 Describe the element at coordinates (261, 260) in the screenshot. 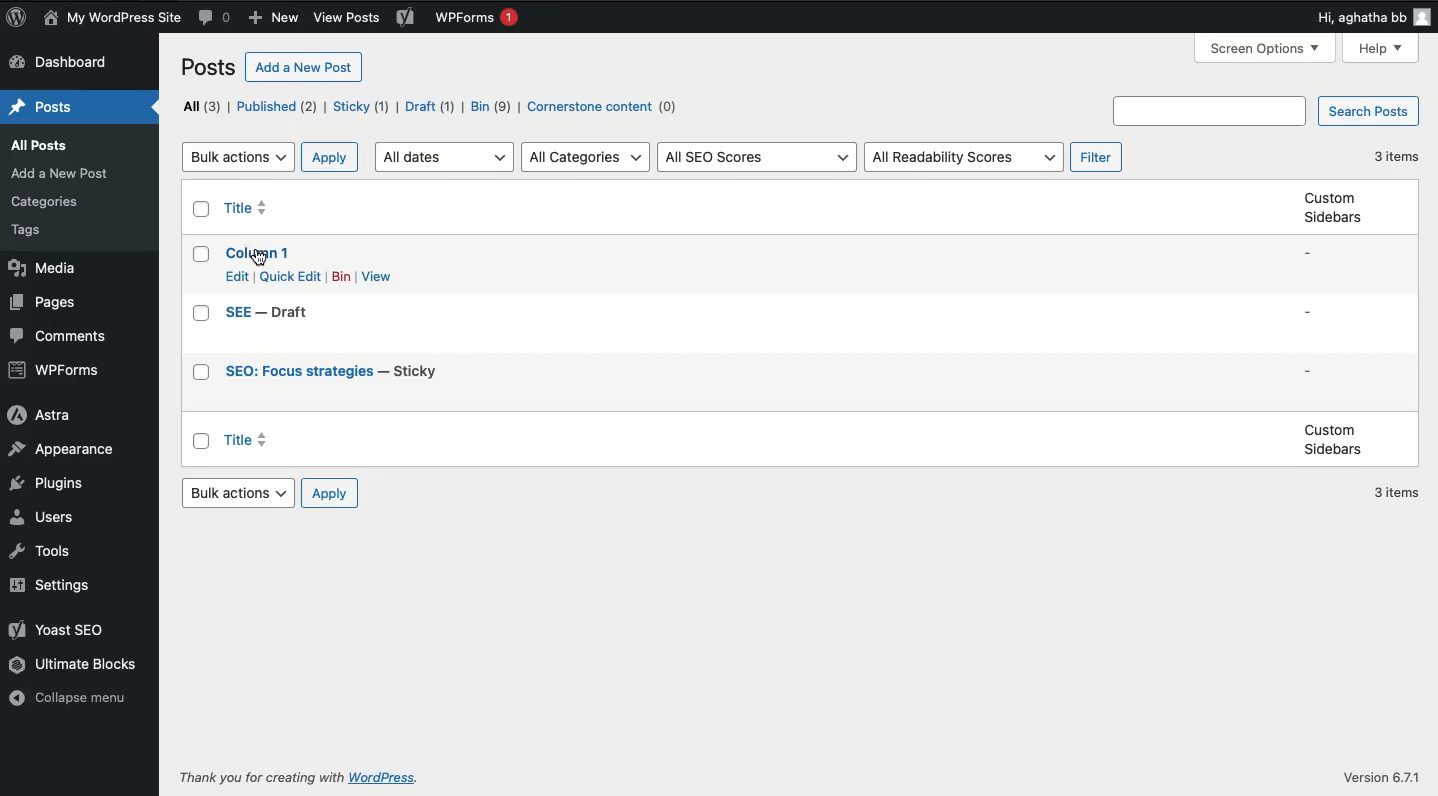

I see `cursor` at that location.